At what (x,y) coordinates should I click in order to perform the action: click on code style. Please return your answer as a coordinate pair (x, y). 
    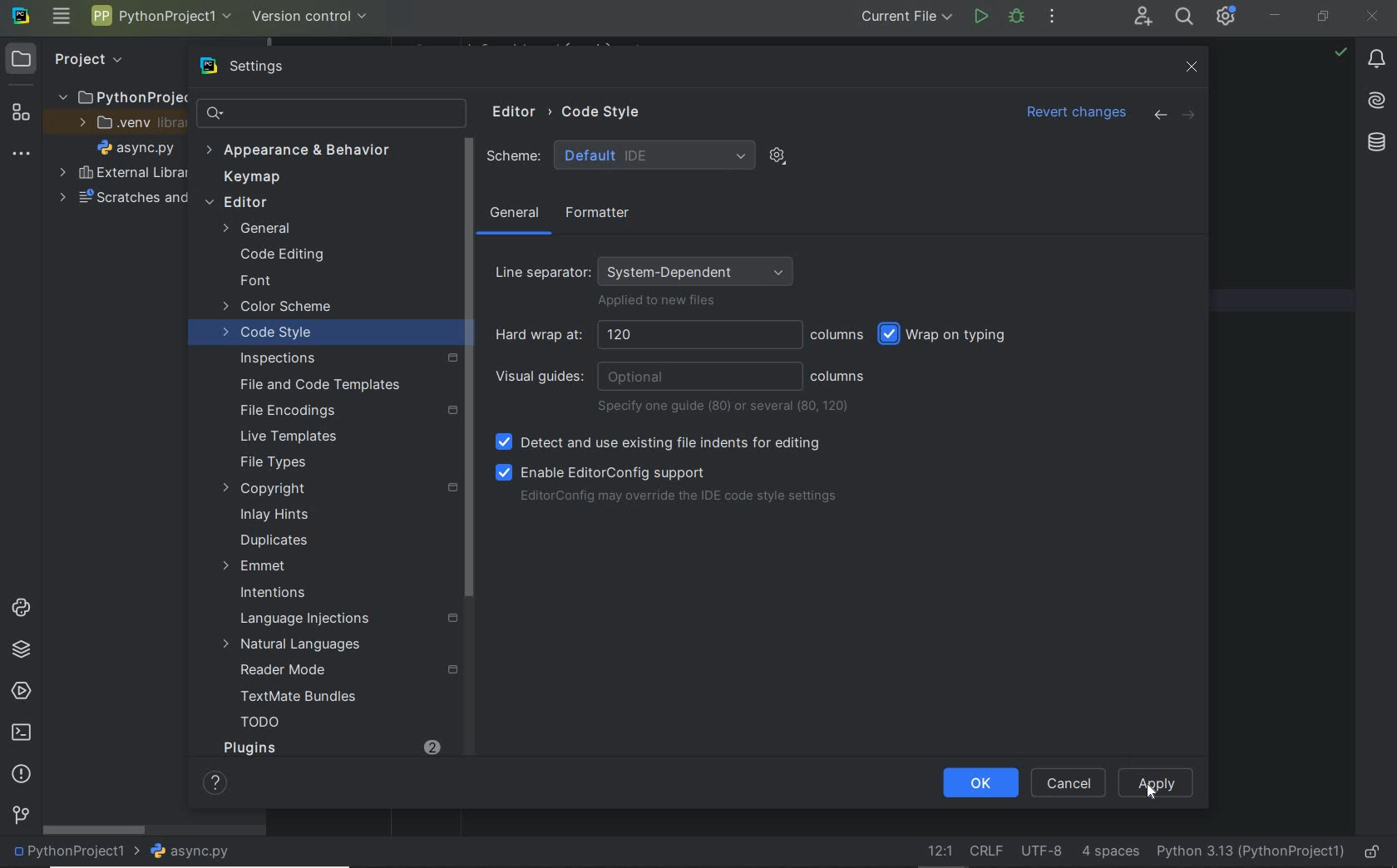
    Looking at the image, I should click on (269, 335).